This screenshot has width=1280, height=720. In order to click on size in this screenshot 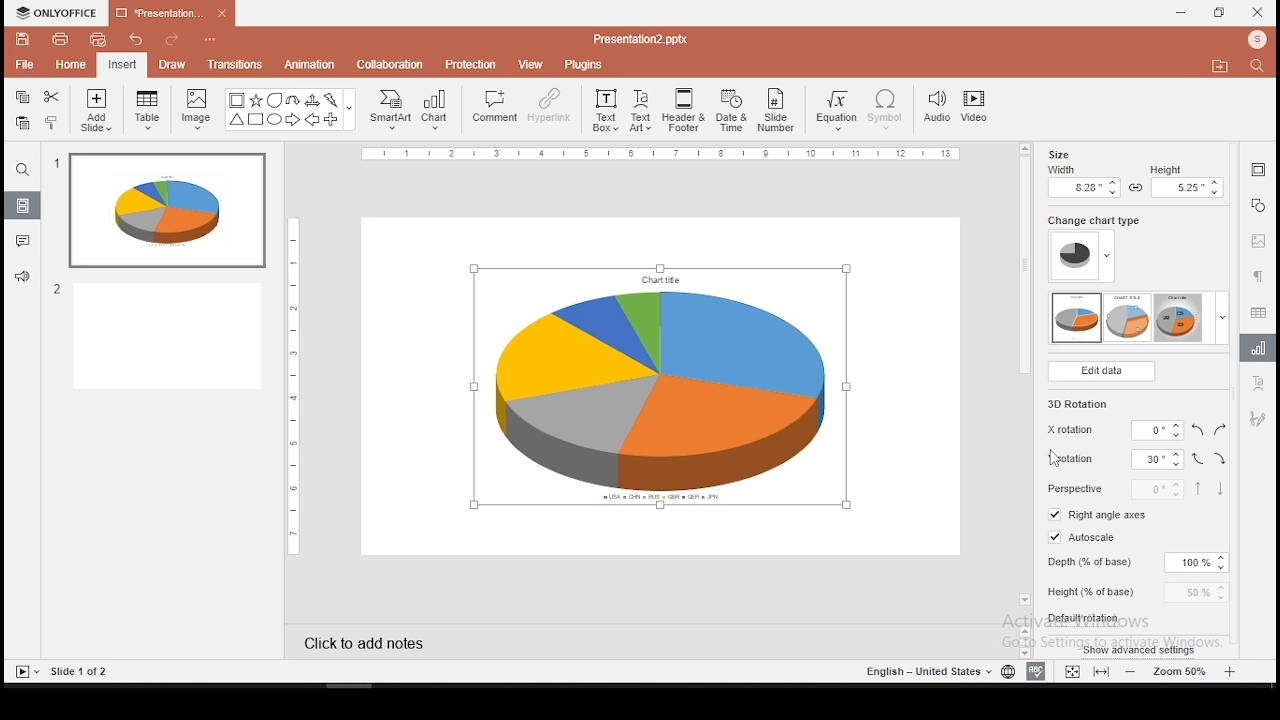, I will do `click(1063, 153)`.